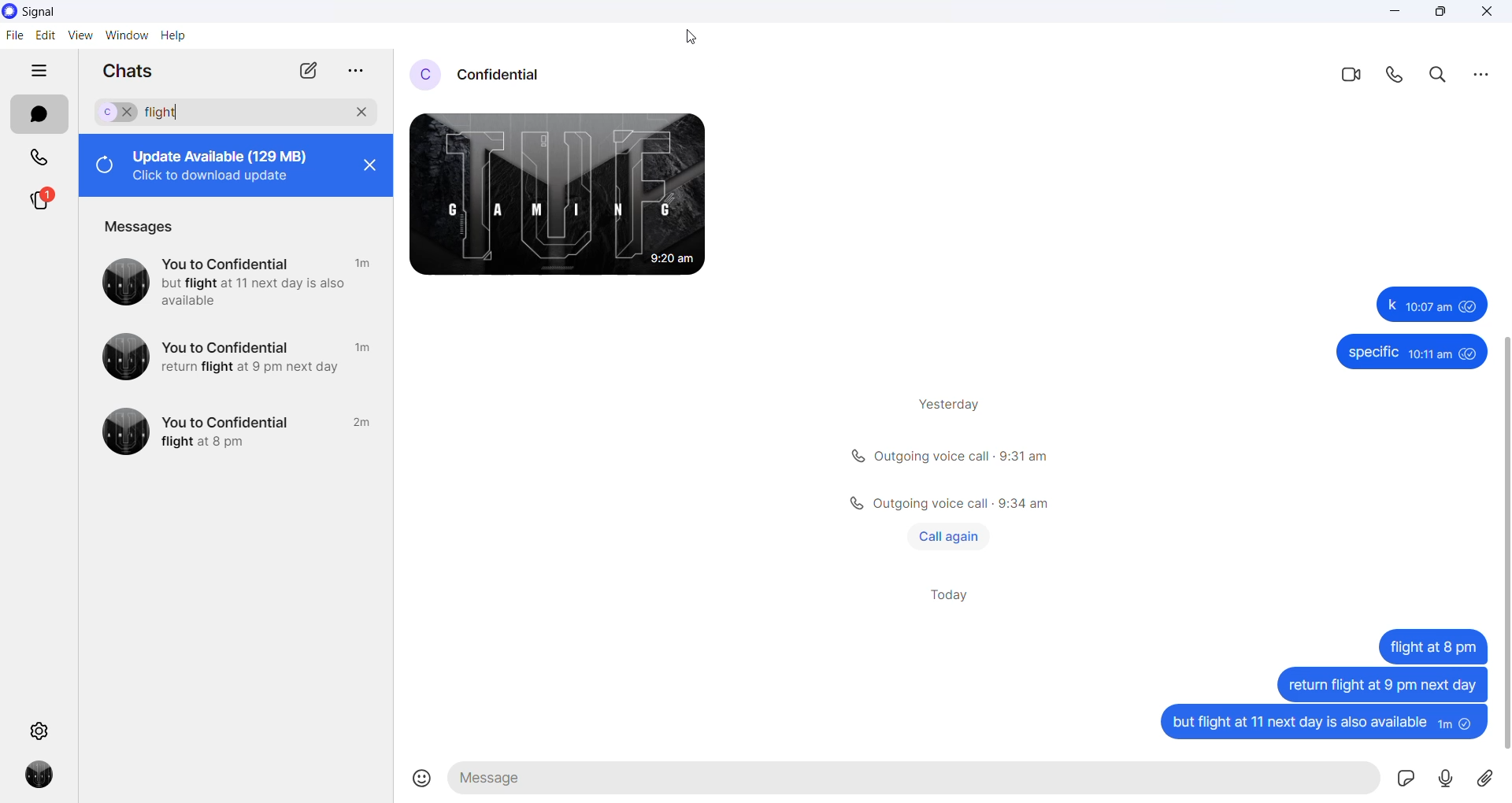  What do you see at coordinates (114, 112) in the screenshot?
I see `selected chat` at bounding box center [114, 112].